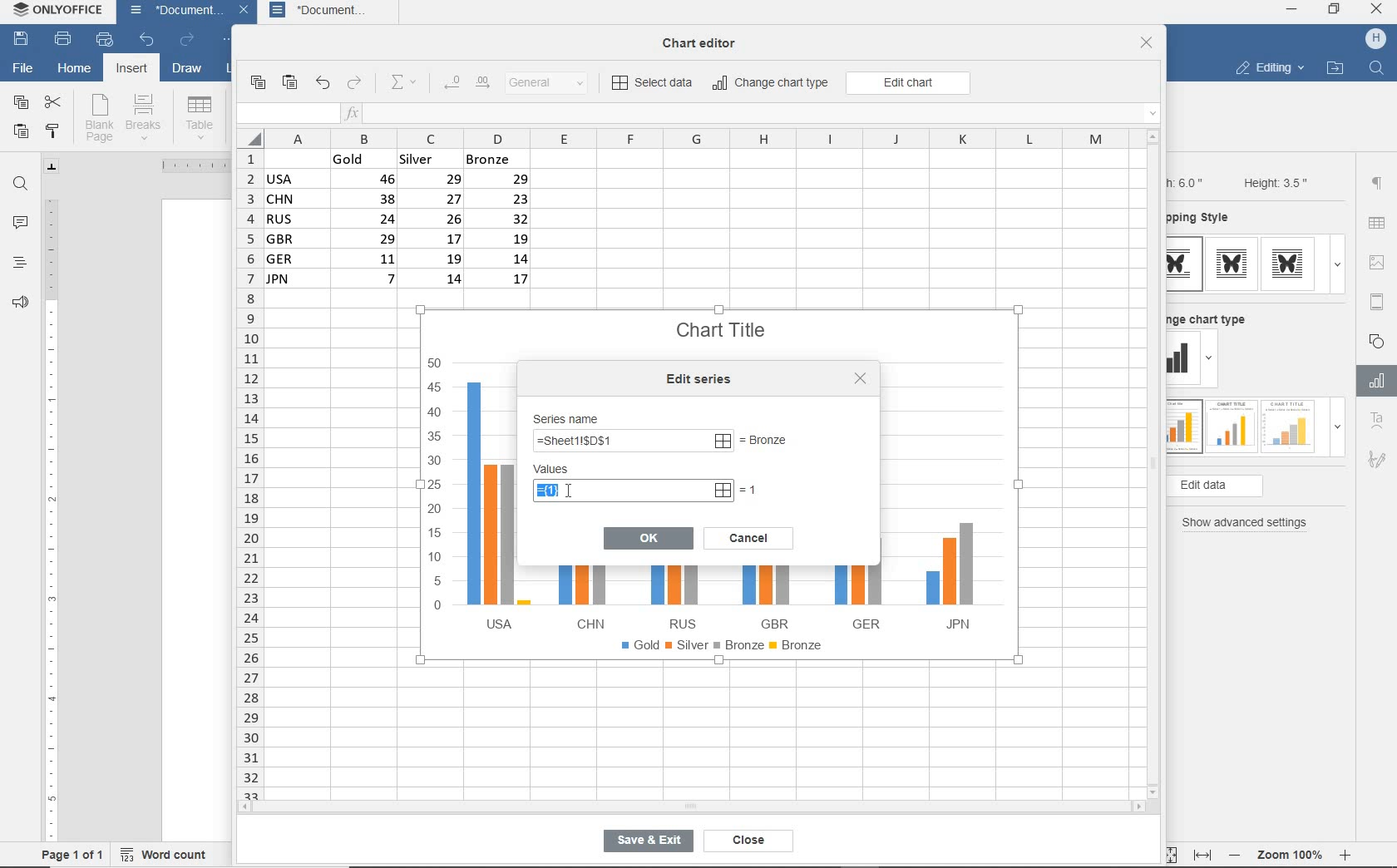  Describe the element at coordinates (1142, 807) in the screenshot. I see `scroll right` at that location.